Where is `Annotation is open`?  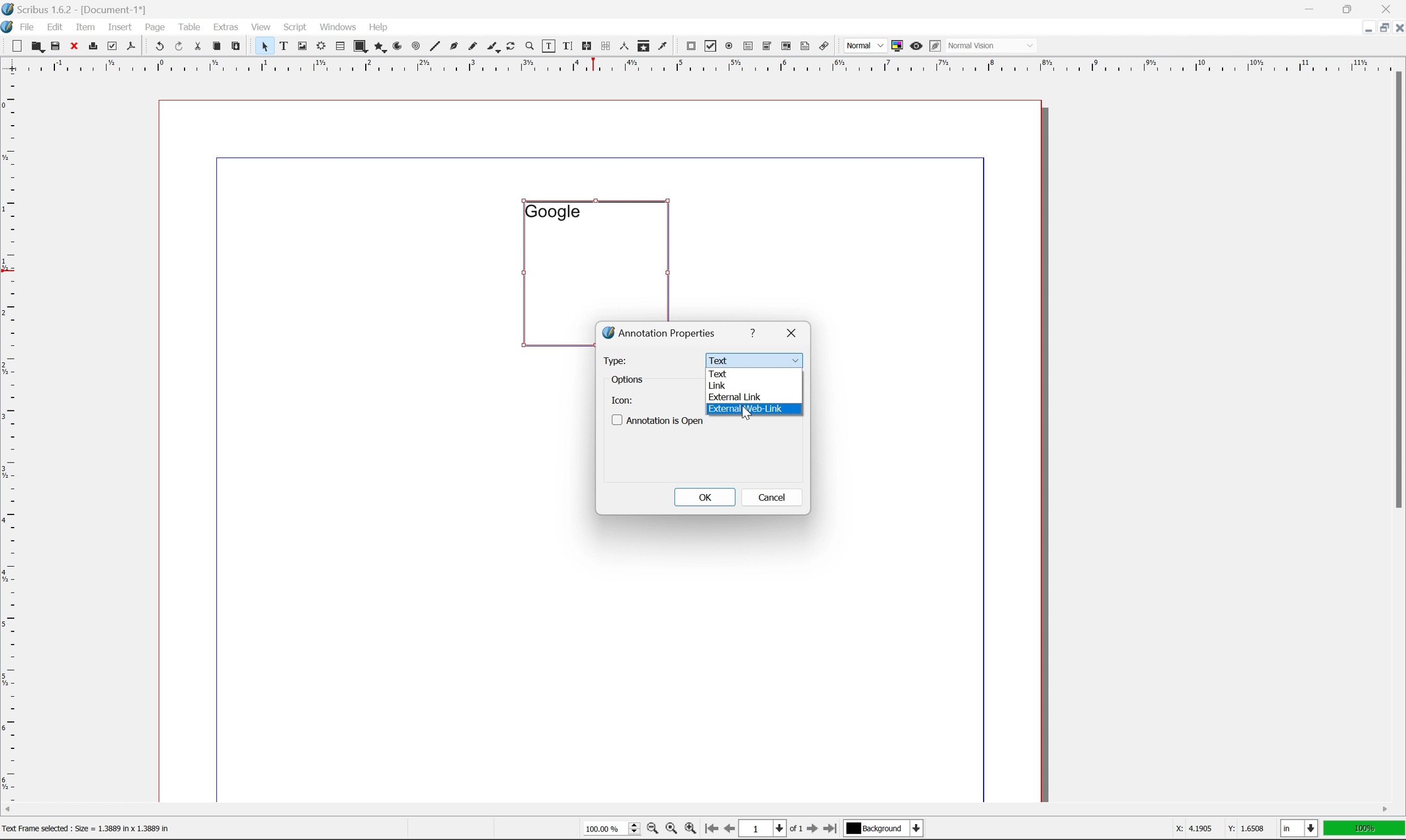 Annotation is open is located at coordinates (659, 421).